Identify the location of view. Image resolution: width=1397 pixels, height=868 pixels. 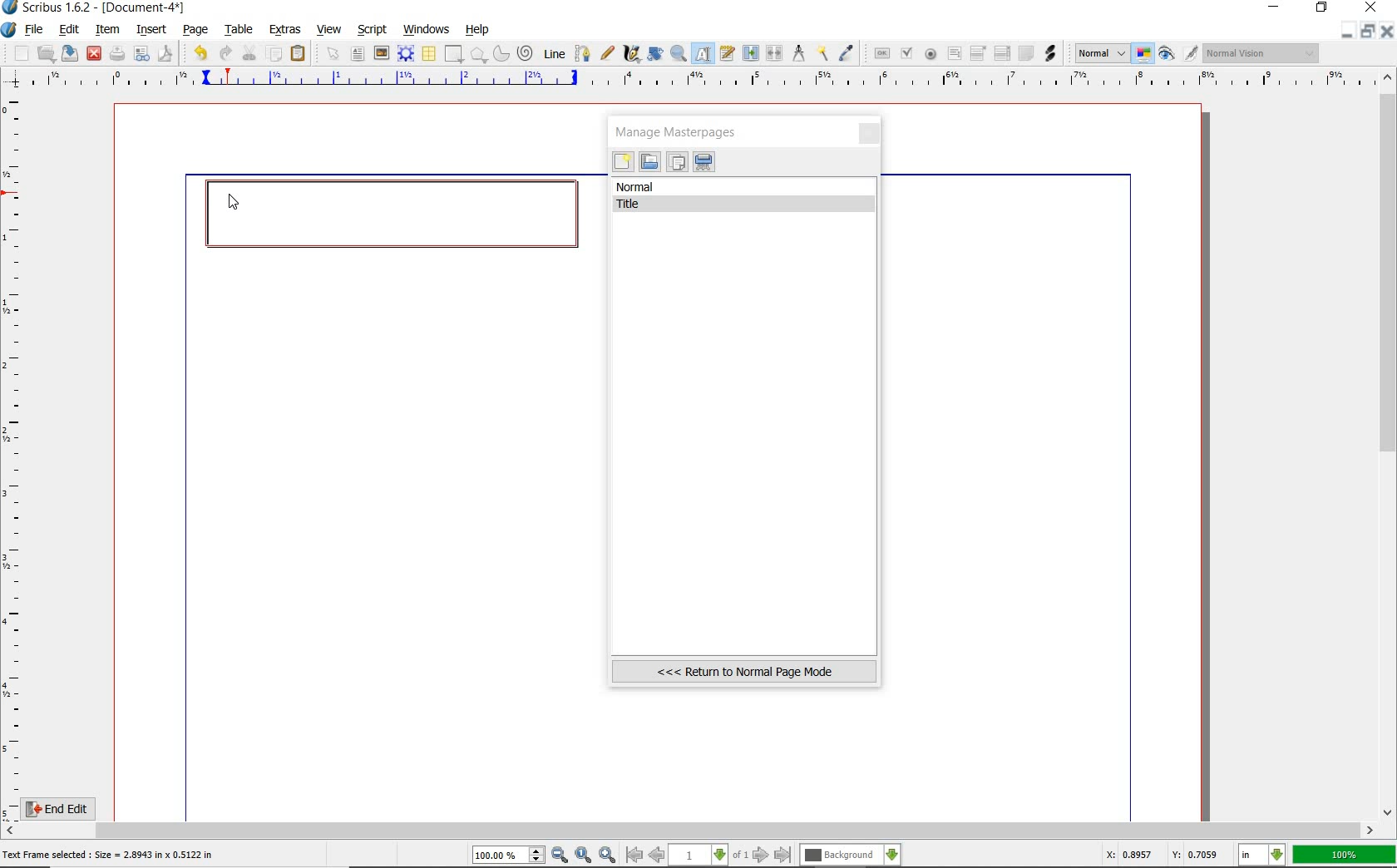
(332, 30).